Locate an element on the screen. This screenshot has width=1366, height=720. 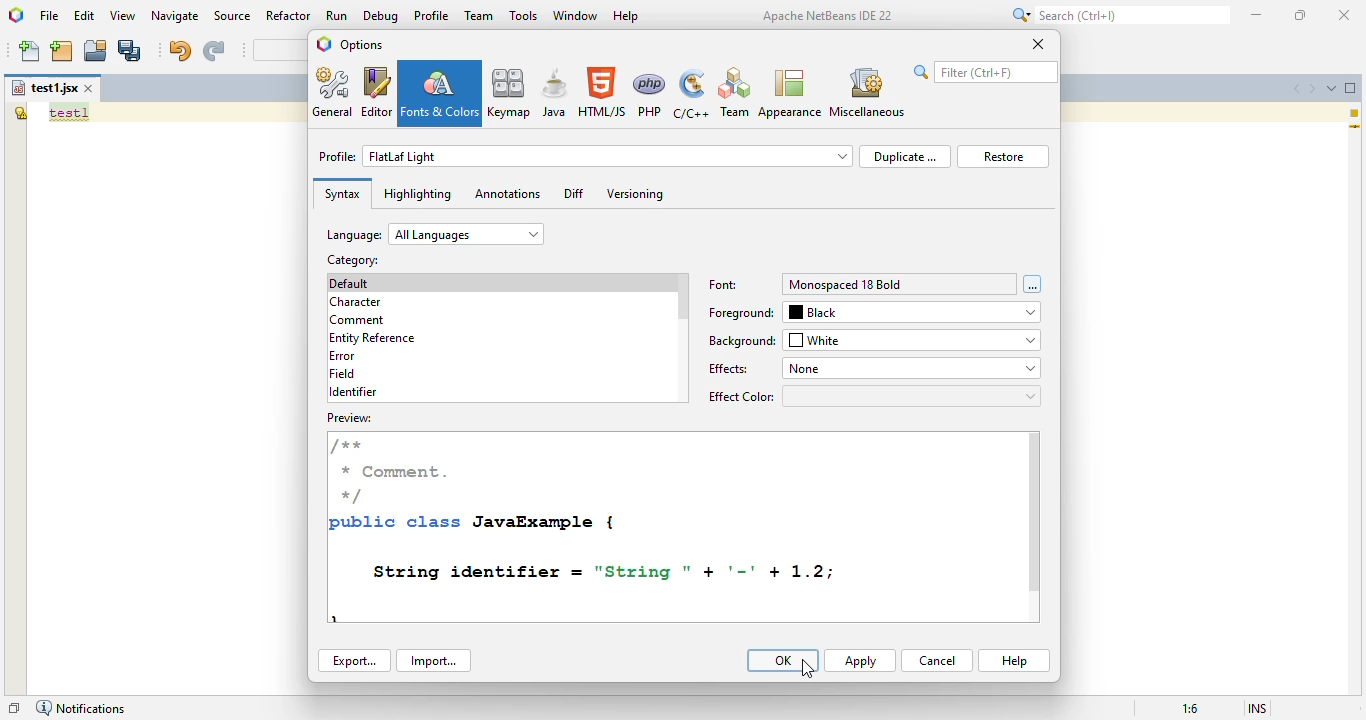
maximize is located at coordinates (1301, 15).